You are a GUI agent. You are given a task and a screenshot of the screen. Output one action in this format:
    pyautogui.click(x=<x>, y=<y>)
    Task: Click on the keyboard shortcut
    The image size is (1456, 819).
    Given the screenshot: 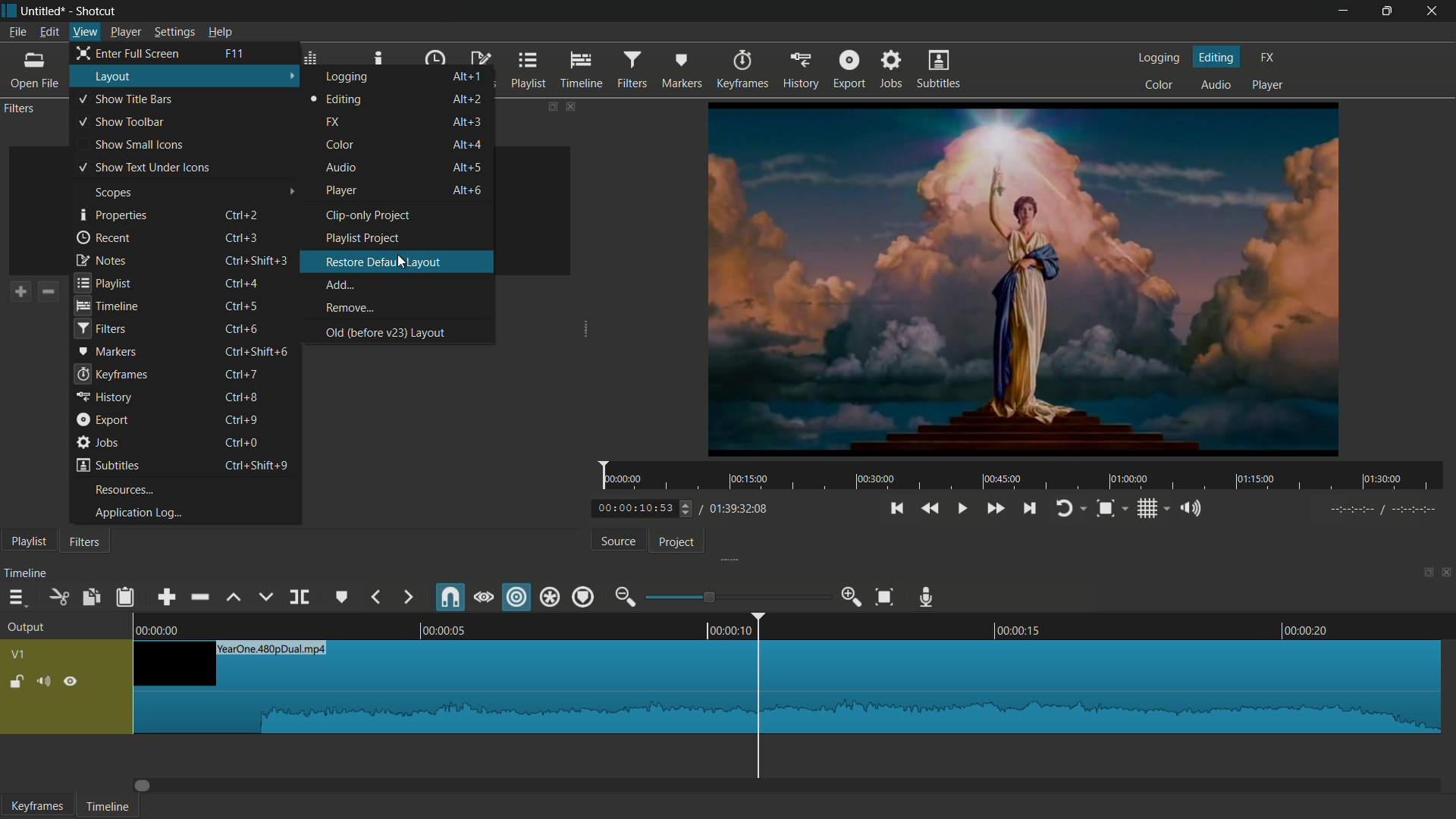 What is the action you would take?
    pyautogui.click(x=467, y=99)
    